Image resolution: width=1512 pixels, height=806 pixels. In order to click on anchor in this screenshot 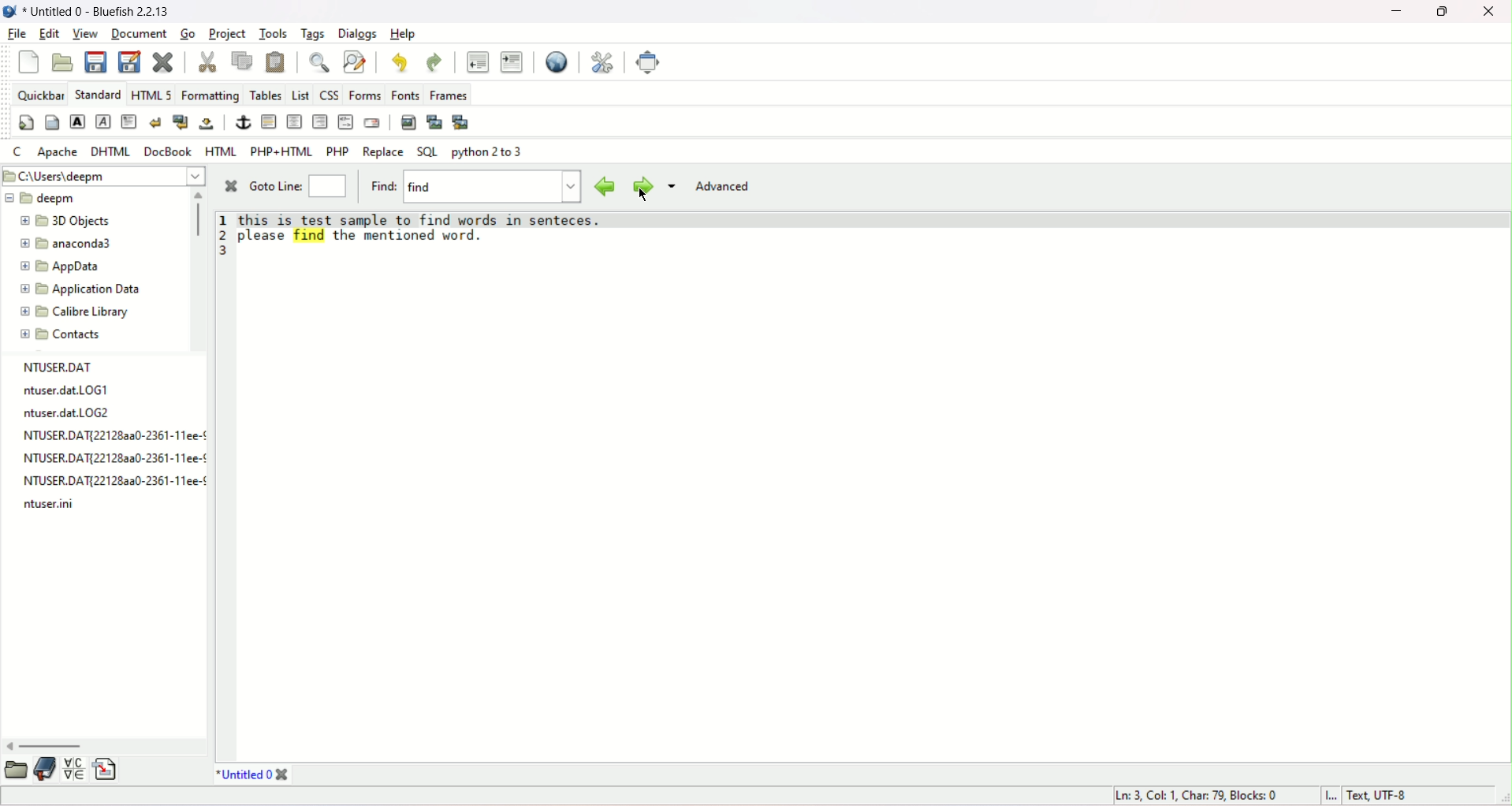, I will do `click(243, 121)`.